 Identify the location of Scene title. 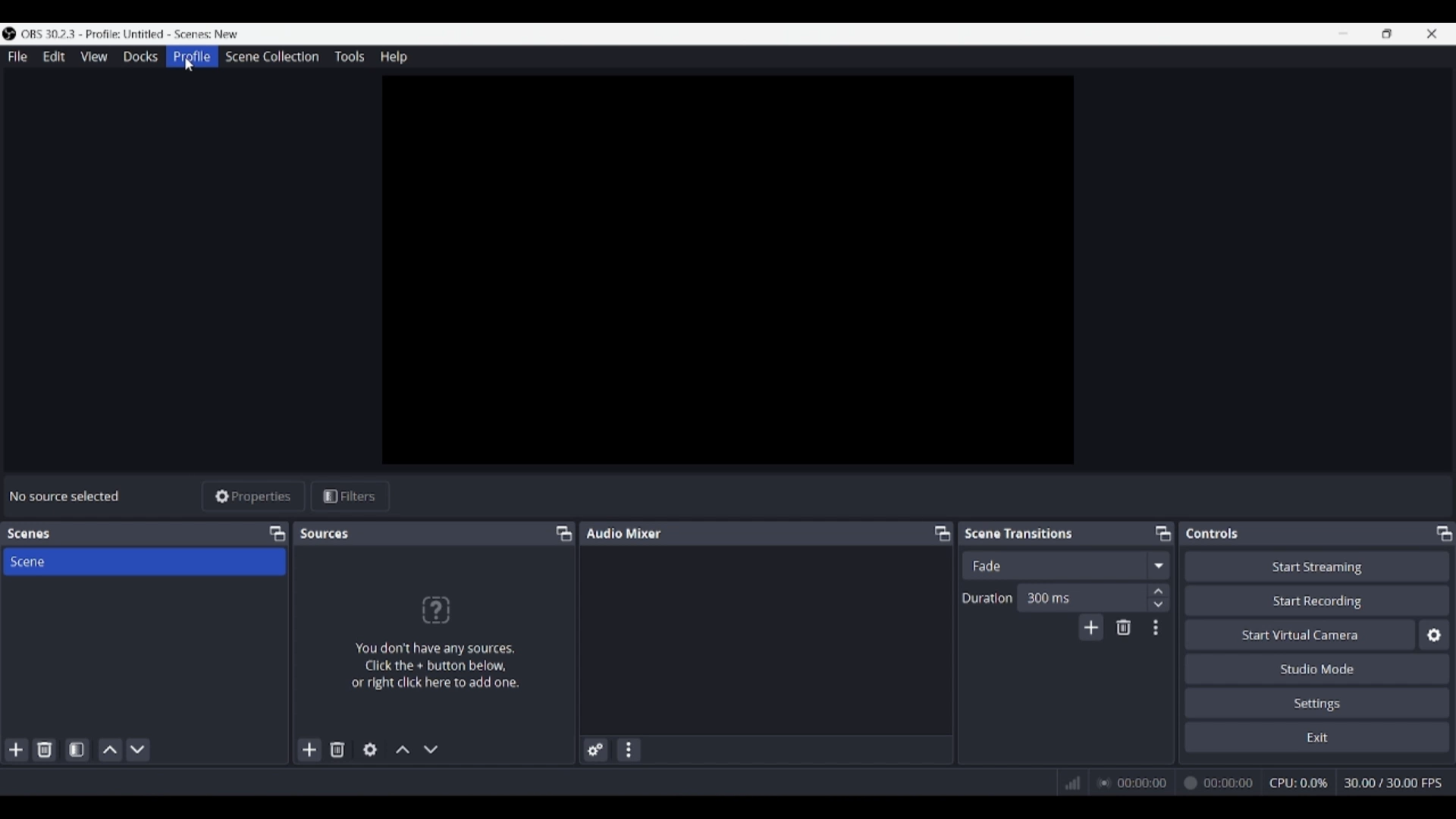
(144, 561).